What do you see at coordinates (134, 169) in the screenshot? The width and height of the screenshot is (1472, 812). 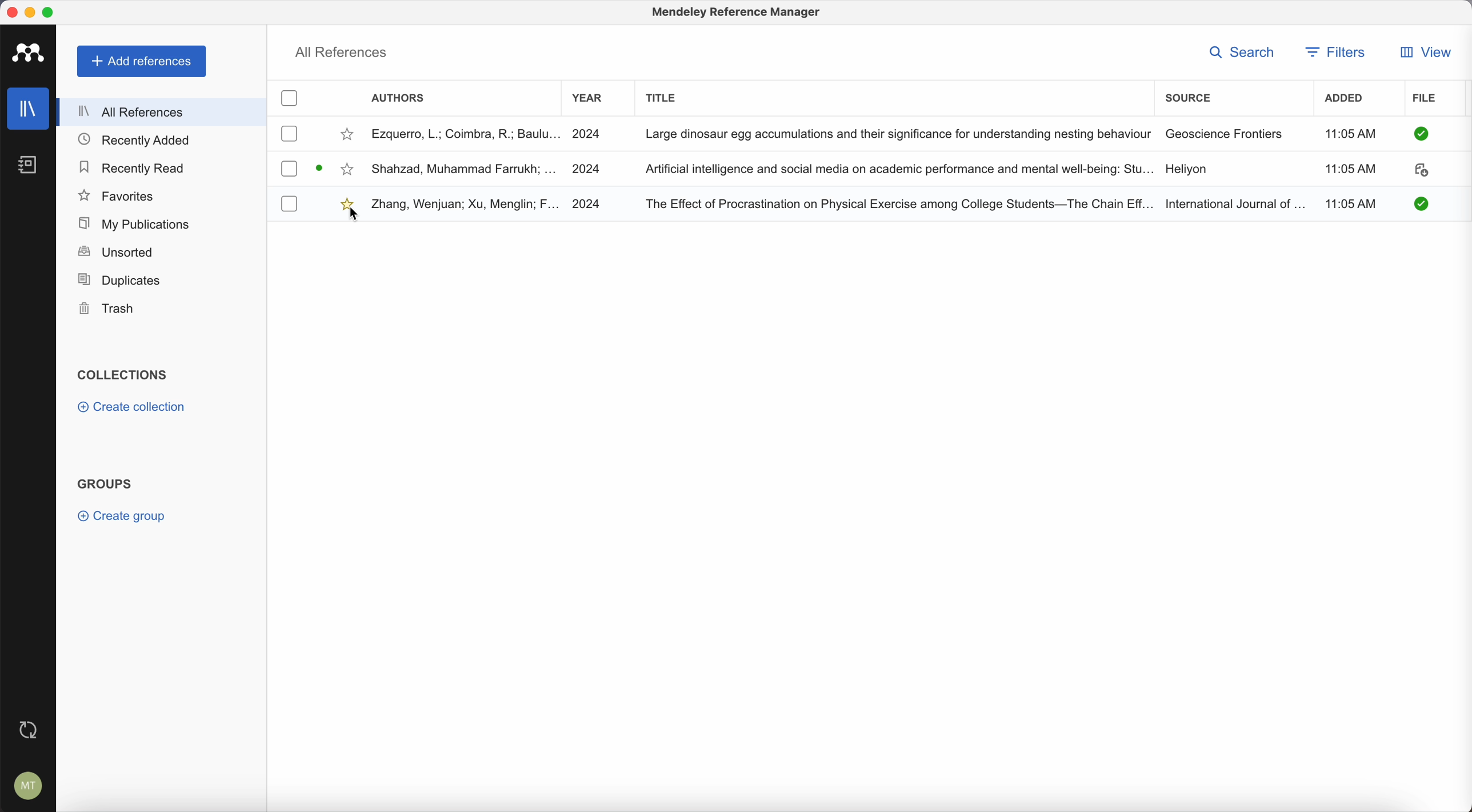 I see `recently read` at bounding box center [134, 169].